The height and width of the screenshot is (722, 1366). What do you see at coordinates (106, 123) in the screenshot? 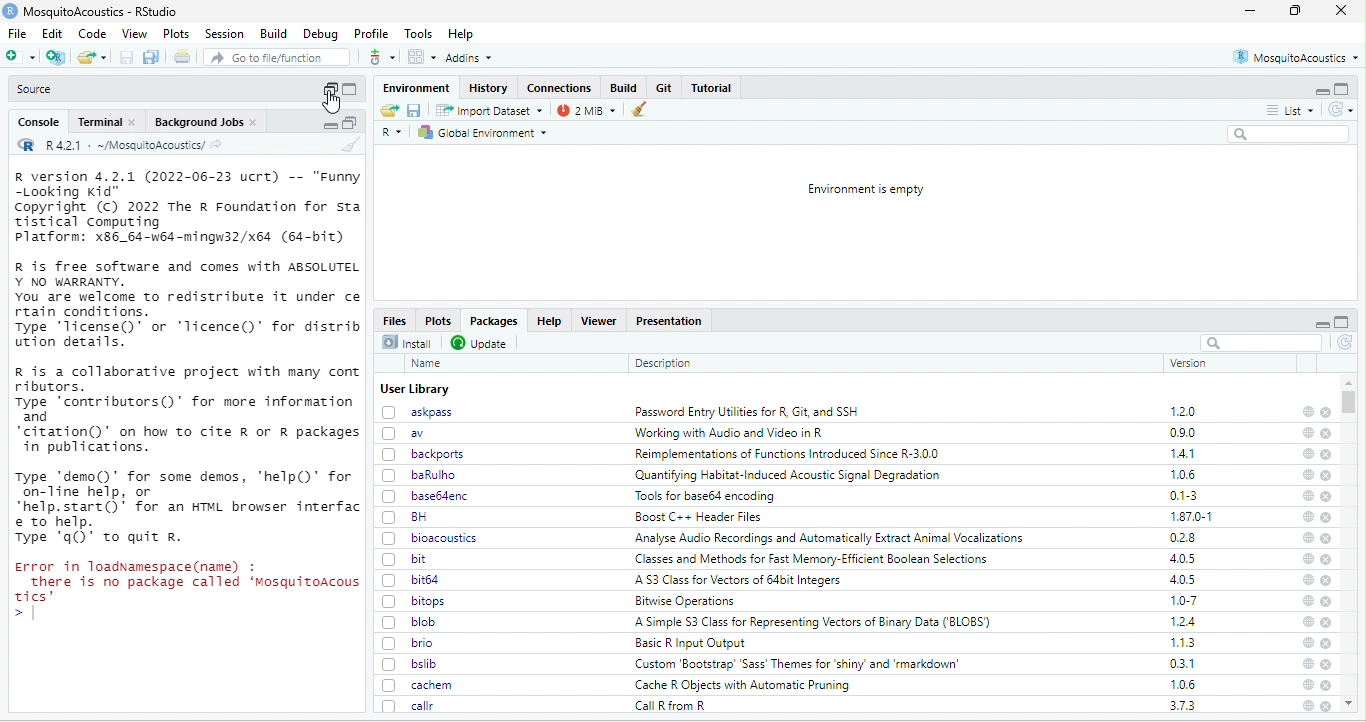
I see `Terminal` at bounding box center [106, 123].